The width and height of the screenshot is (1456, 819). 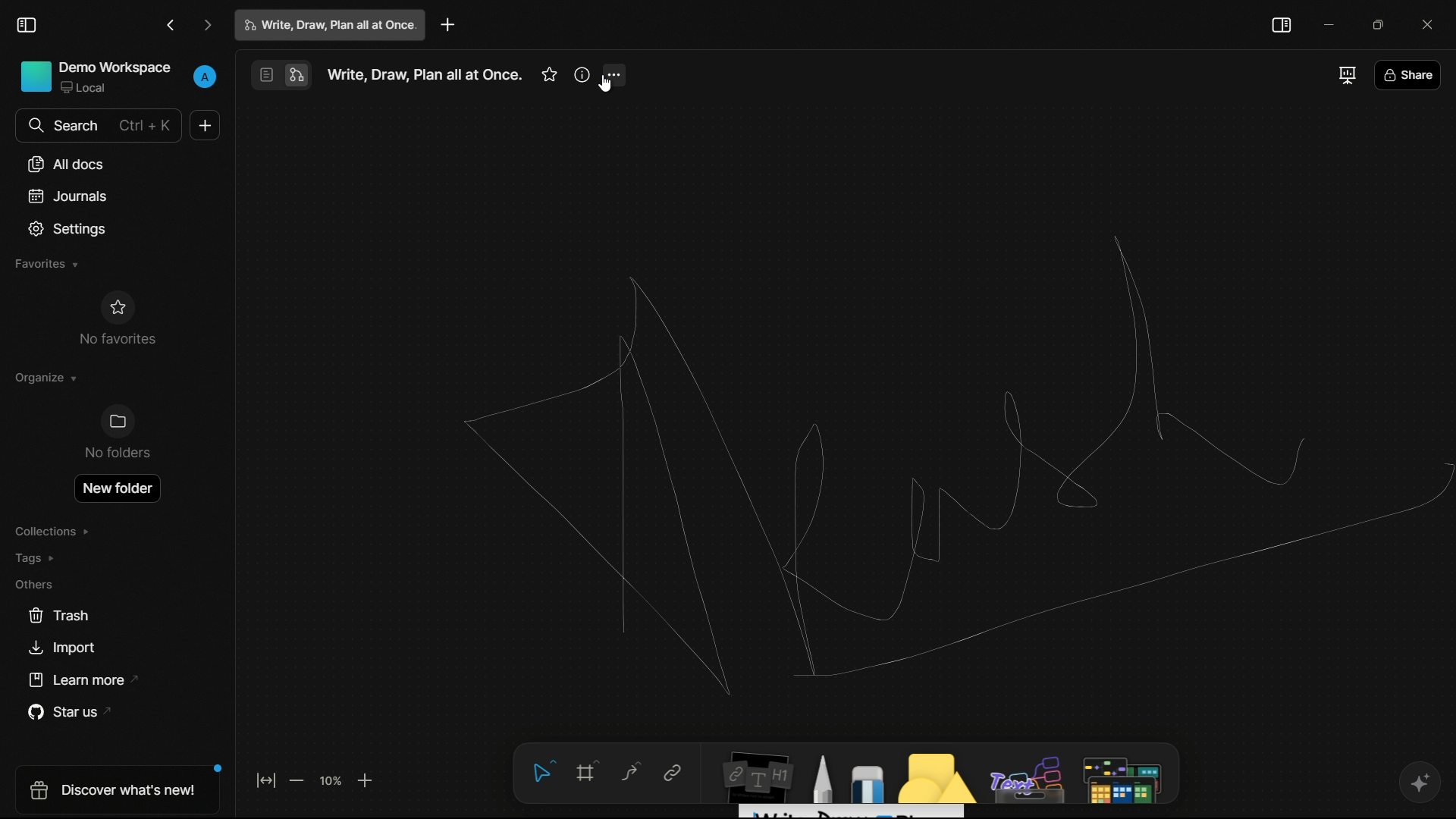 I want to click on new document, so click(x=206, y=127).